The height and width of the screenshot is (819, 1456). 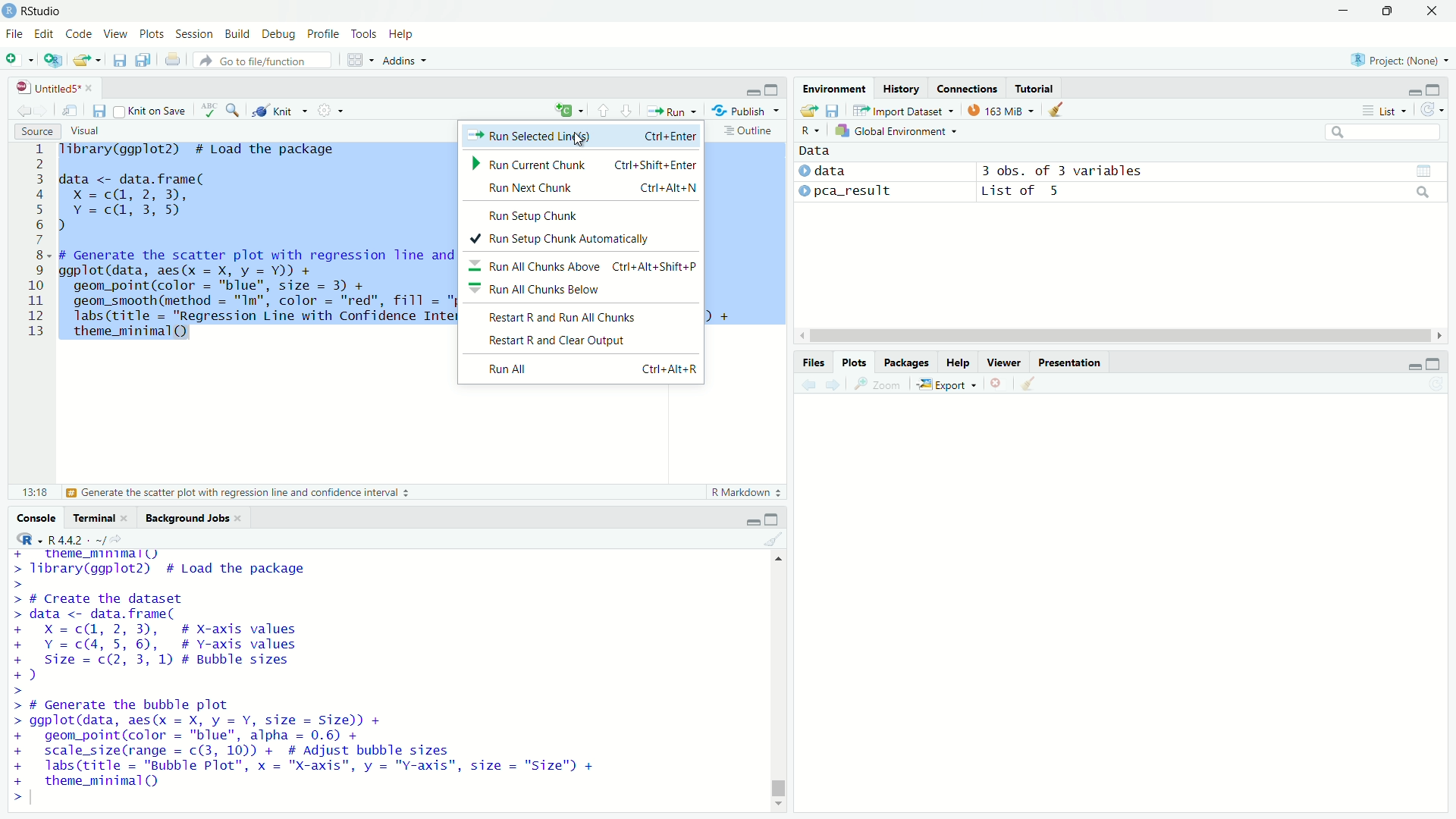 What do you see at coordinates (96, 60) in the screenshot?
I see `Open recent files` at bounding box center [96, 60].